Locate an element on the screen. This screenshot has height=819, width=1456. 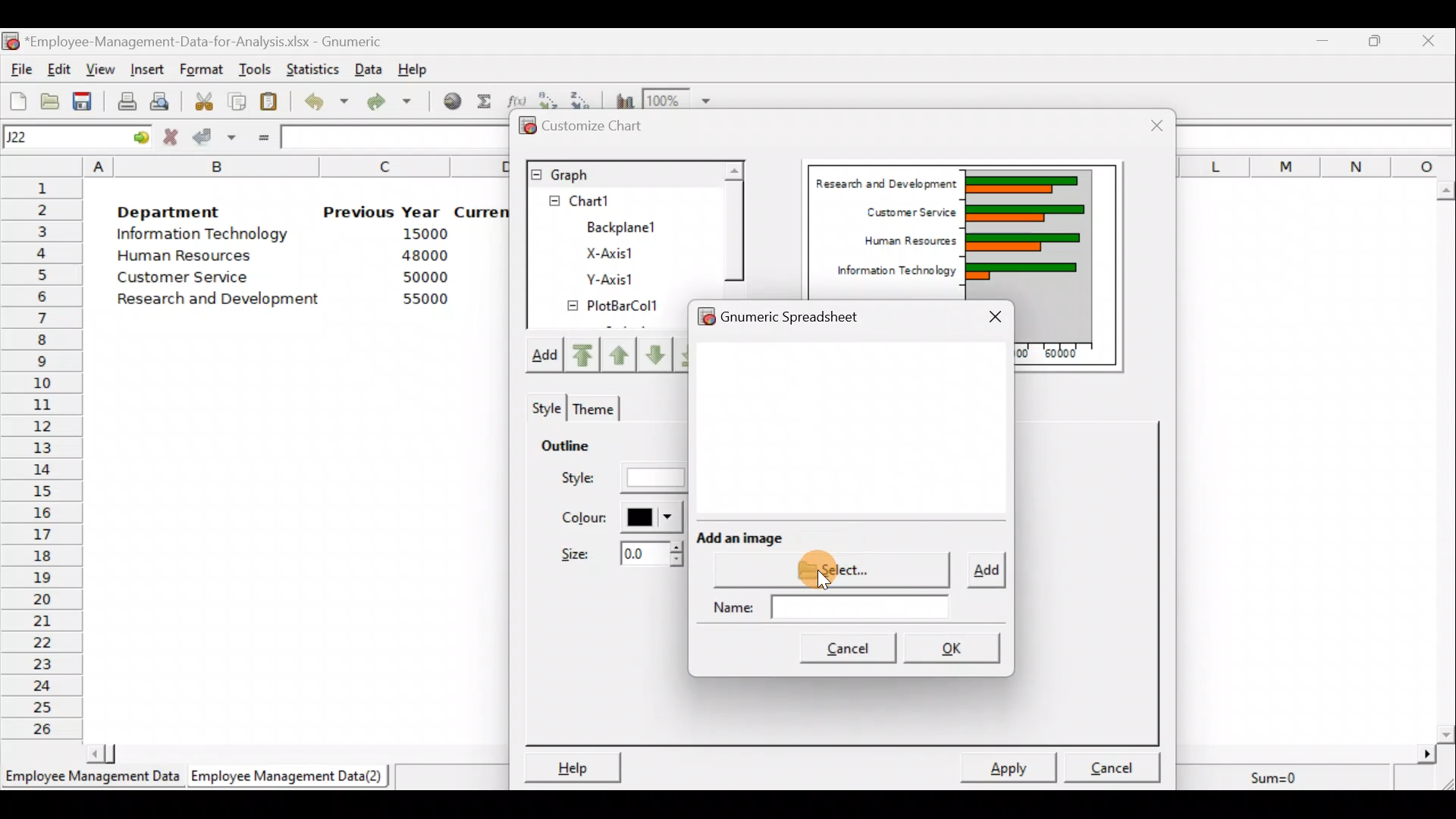
Cancel change is located at coordinates (172, 137).